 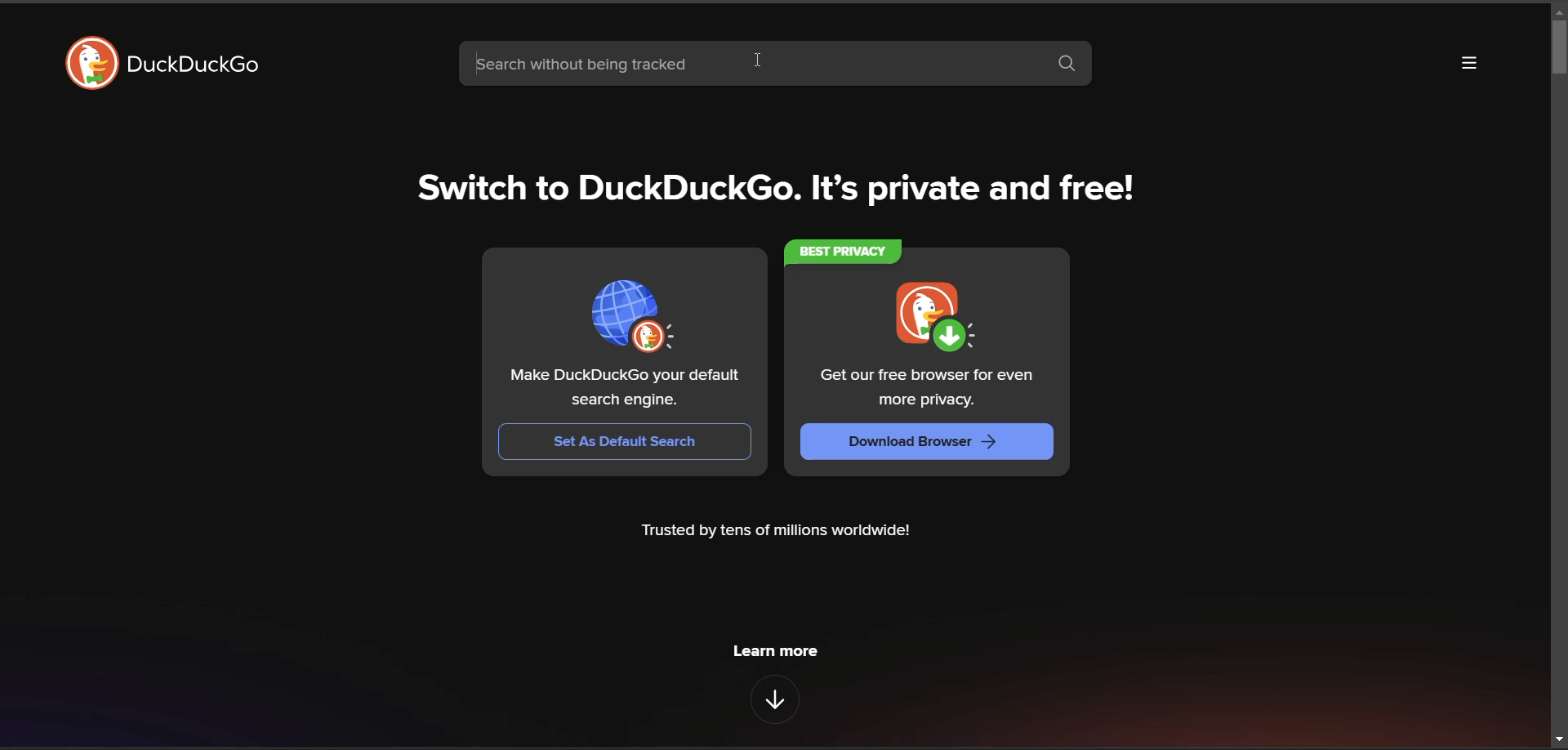 What do you see at coordinates (1473, 65) in the screenshot?
I see `more options` at bounding box center [1473, 65].